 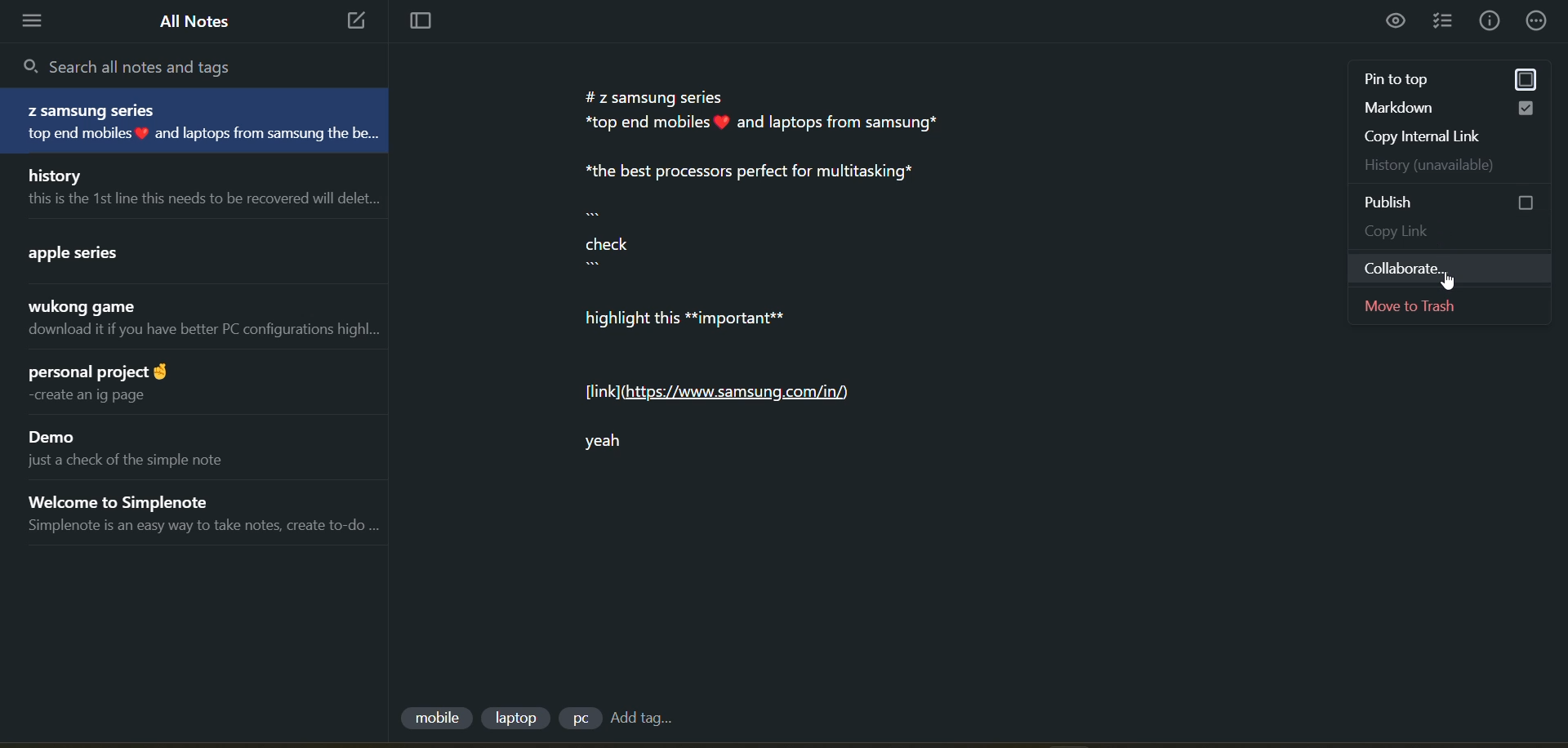 What do you see at coordinates (196, 382) in the screenshot?
I see `note title and preview` at bounding box center [196, 382].